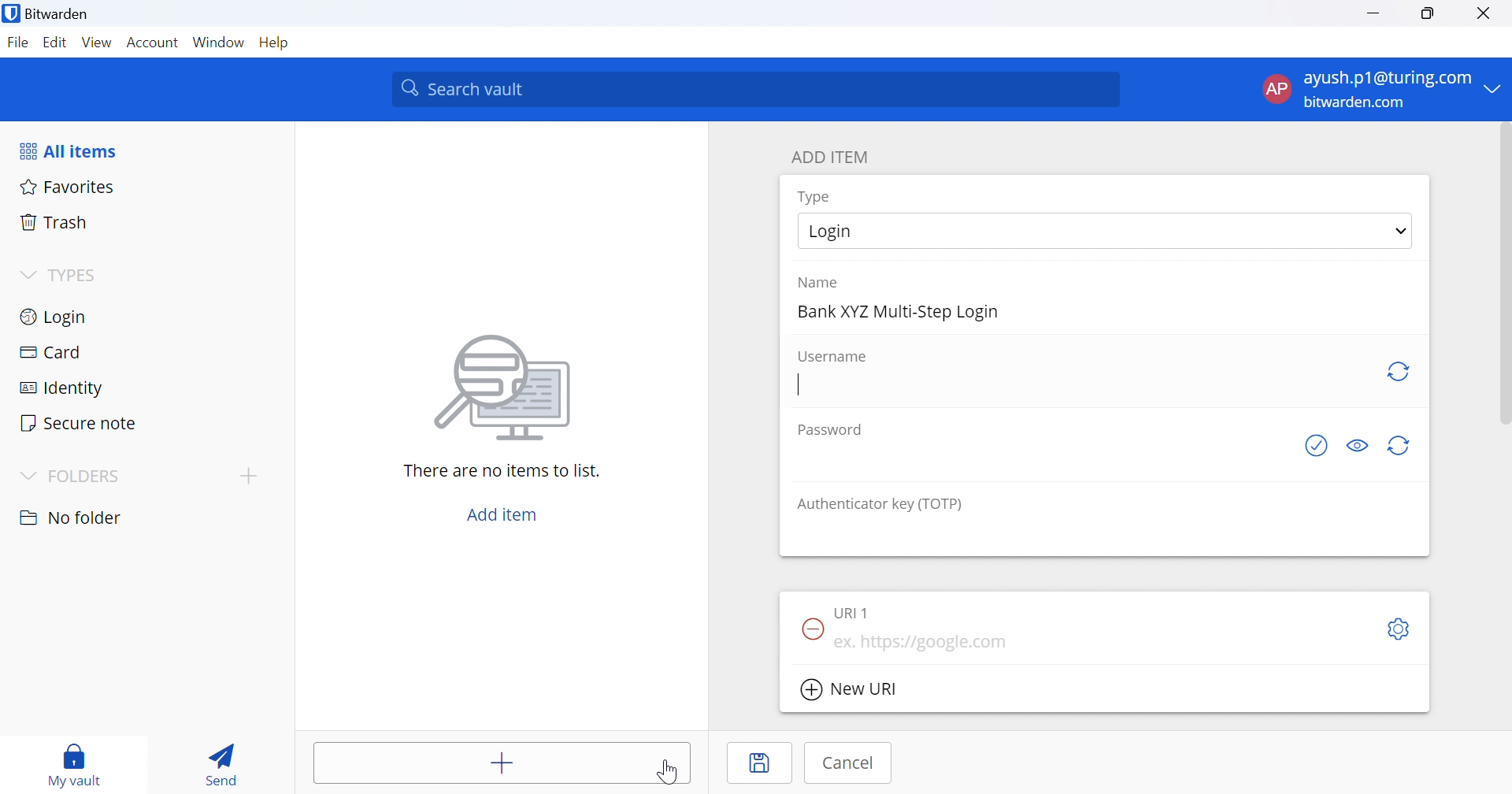 This screenshot has width=1512, height=794. What do you see at coordinates (672, 772) in the screenshot?
I see `Cursor` at bounding box center [672, 772].